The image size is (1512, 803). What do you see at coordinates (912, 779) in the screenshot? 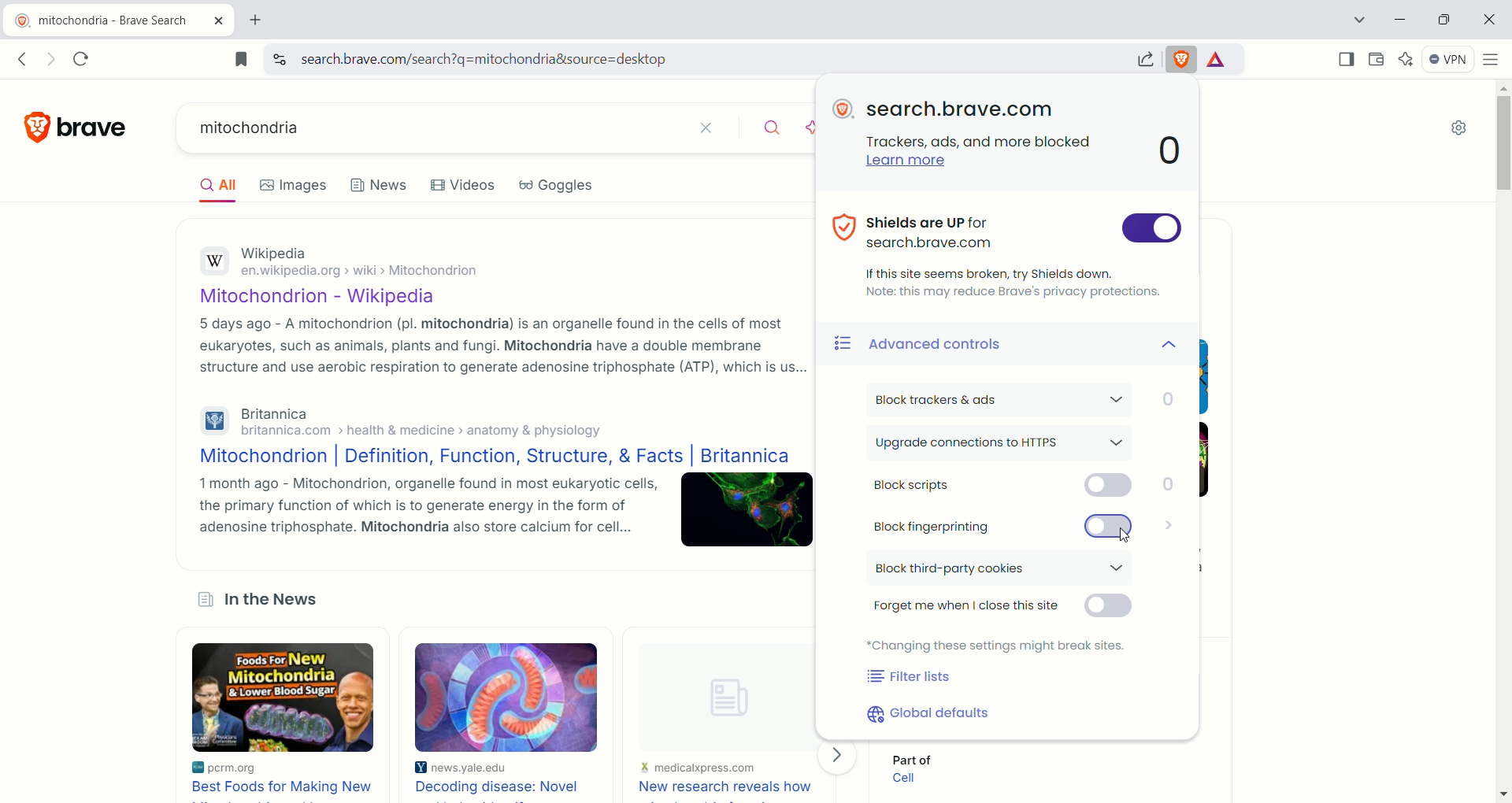
I see `Cell` at bounding box center [912, 779].